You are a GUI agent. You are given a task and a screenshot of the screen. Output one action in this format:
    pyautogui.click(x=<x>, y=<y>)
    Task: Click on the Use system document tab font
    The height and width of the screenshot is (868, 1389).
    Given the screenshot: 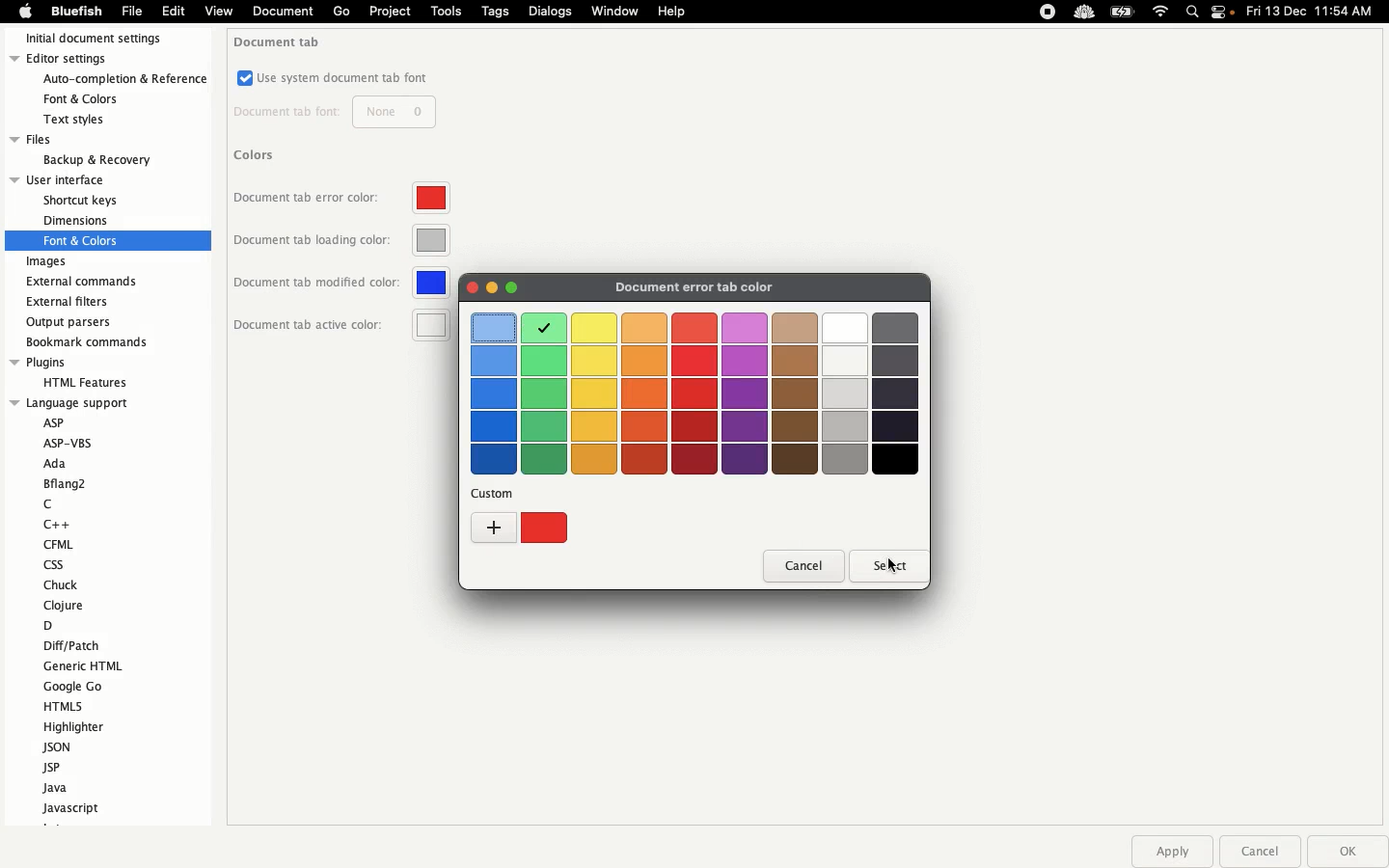 What is the action you would take?
    pyautogui.click(x=334, y=78)
    